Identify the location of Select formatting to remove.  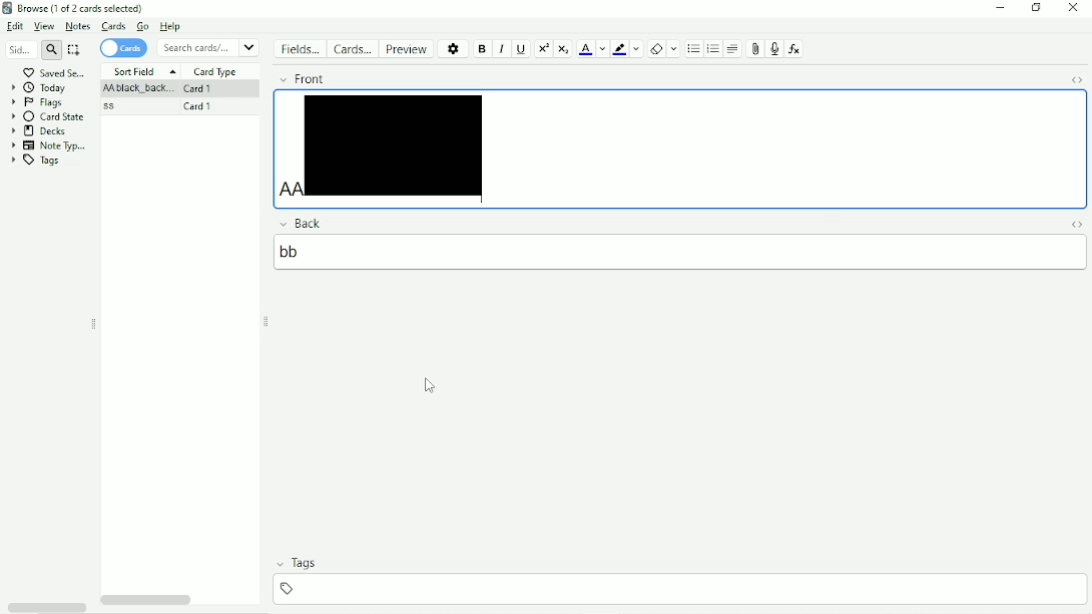
(675, 49).